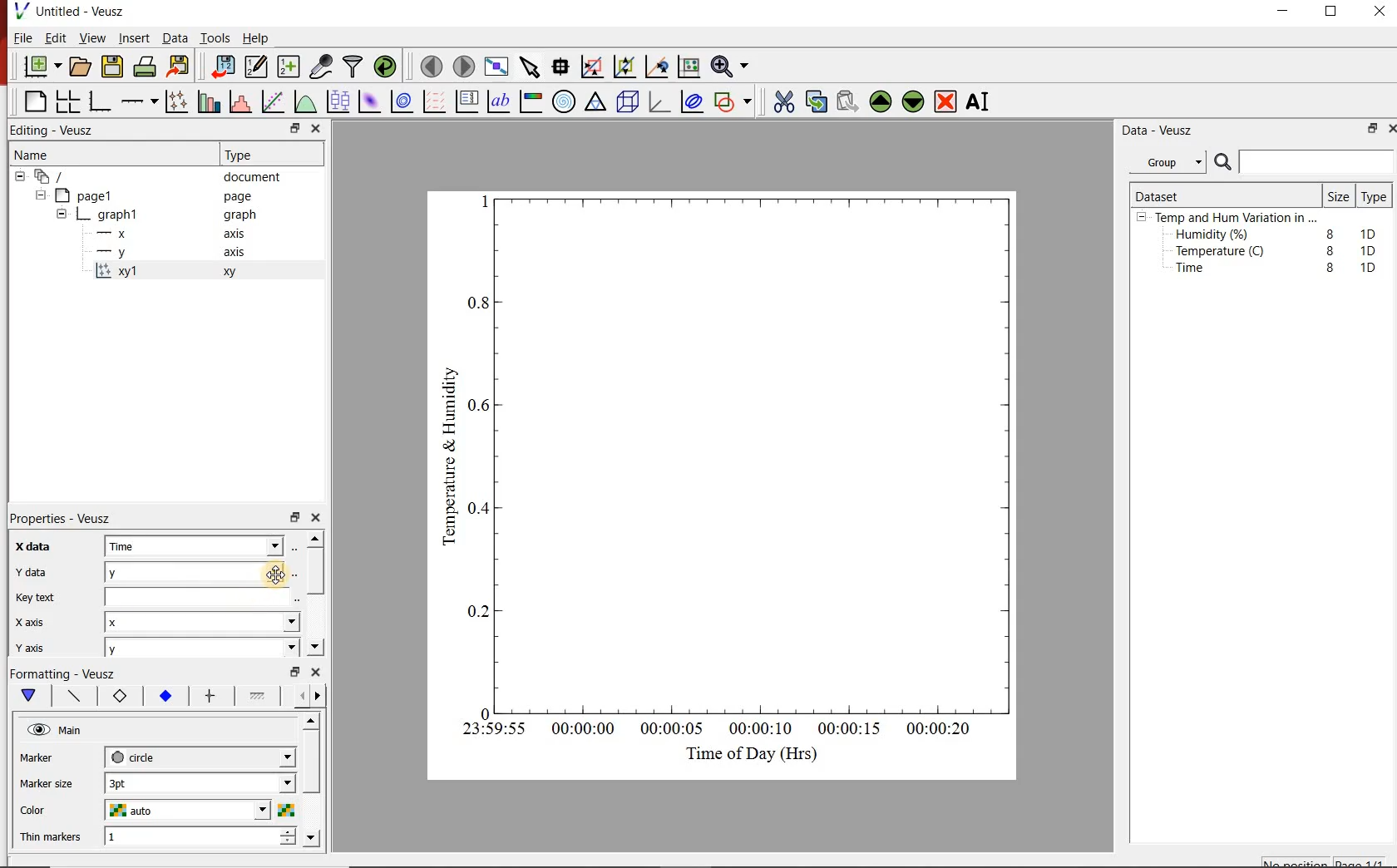 The image size is (1397, 868). Describe the element at coordinates (729, 66) in the screenshot. I see `Zoom functions menu` at that location.